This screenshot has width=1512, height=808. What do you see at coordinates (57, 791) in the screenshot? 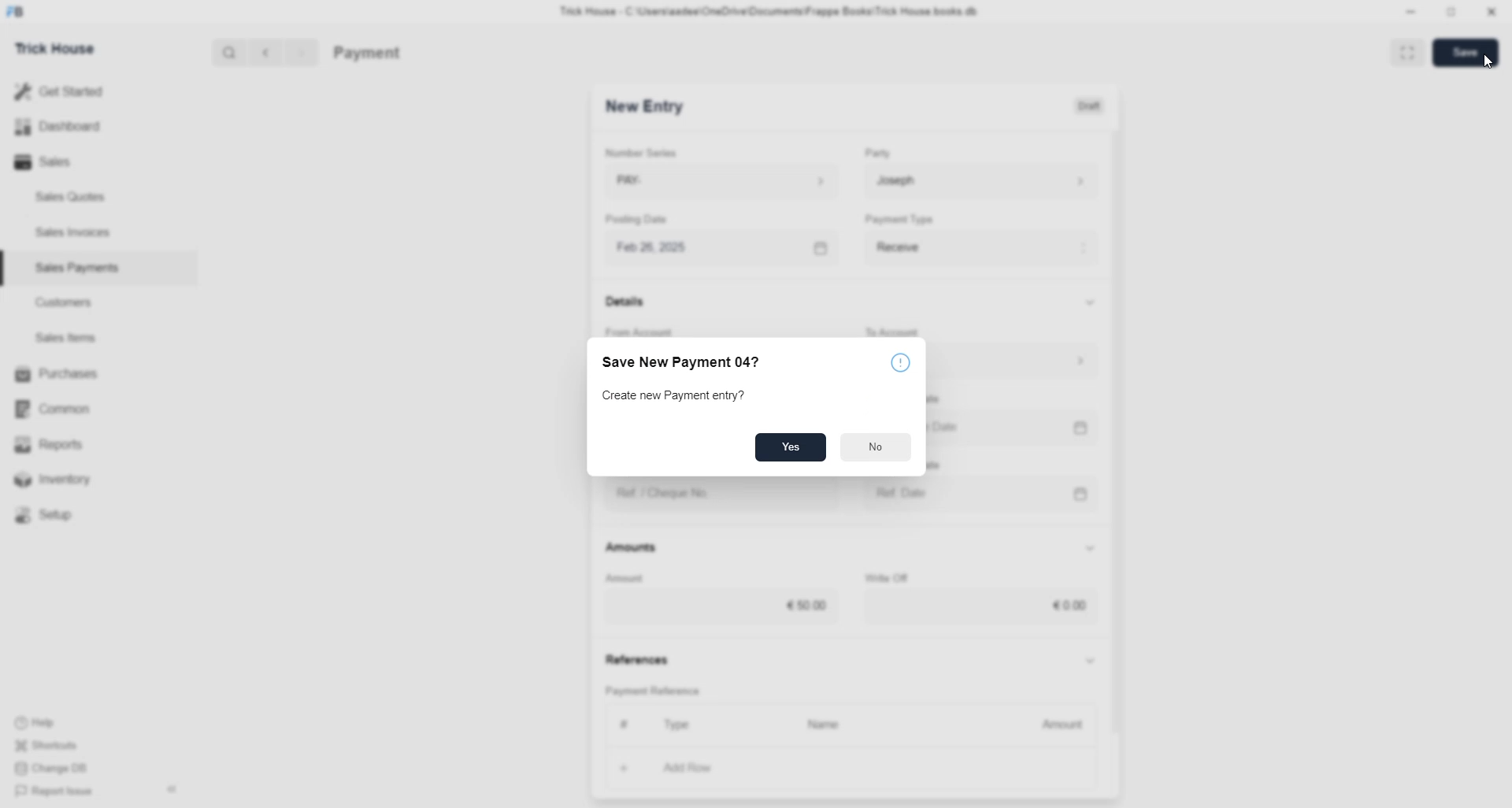
I see `Report Issue` at bounding box center [57, 791].